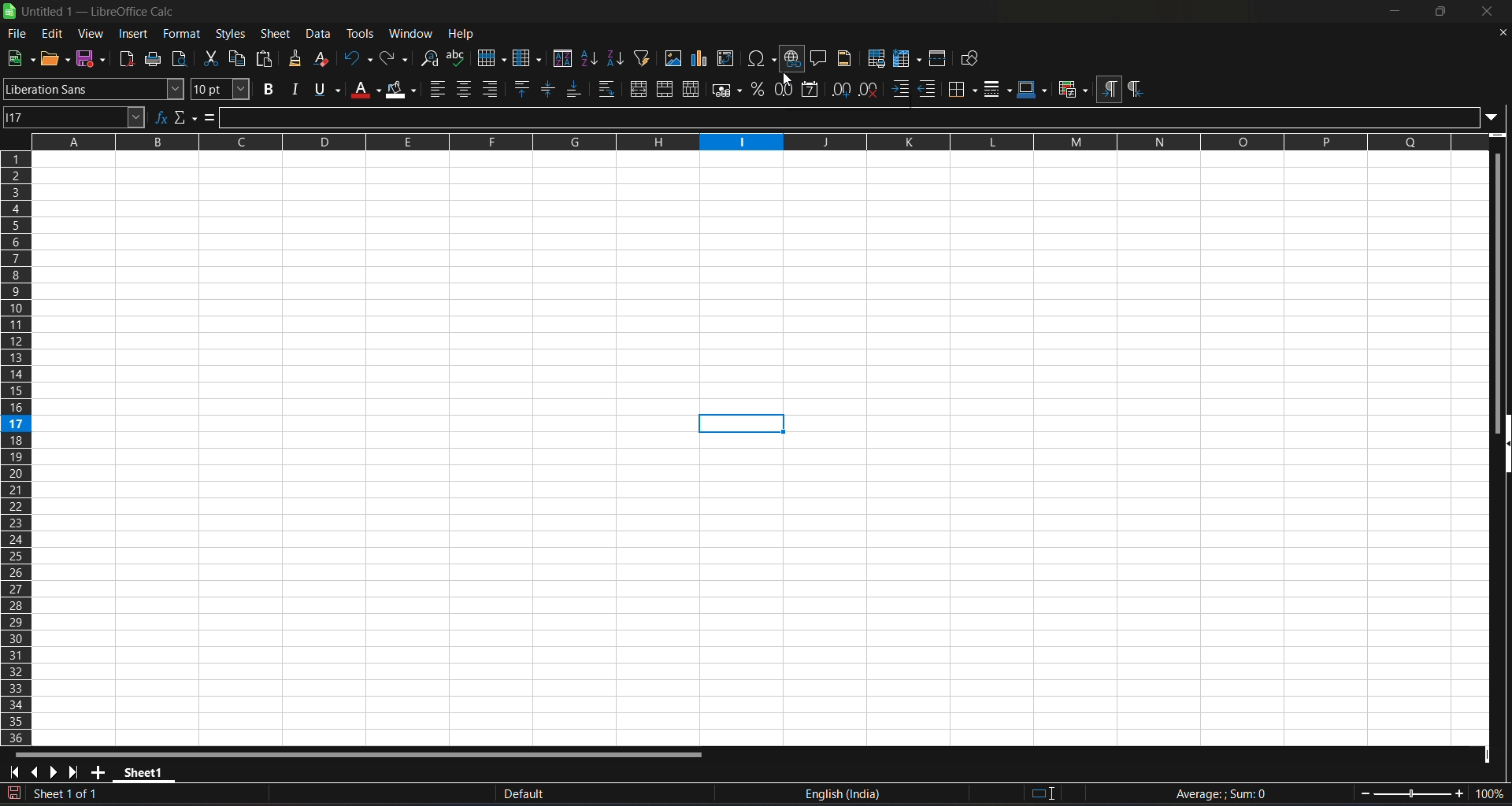  What do you see at coordinates (239, 57) in the screenshot?
I see `copy ` at bounding box center [239, 57].